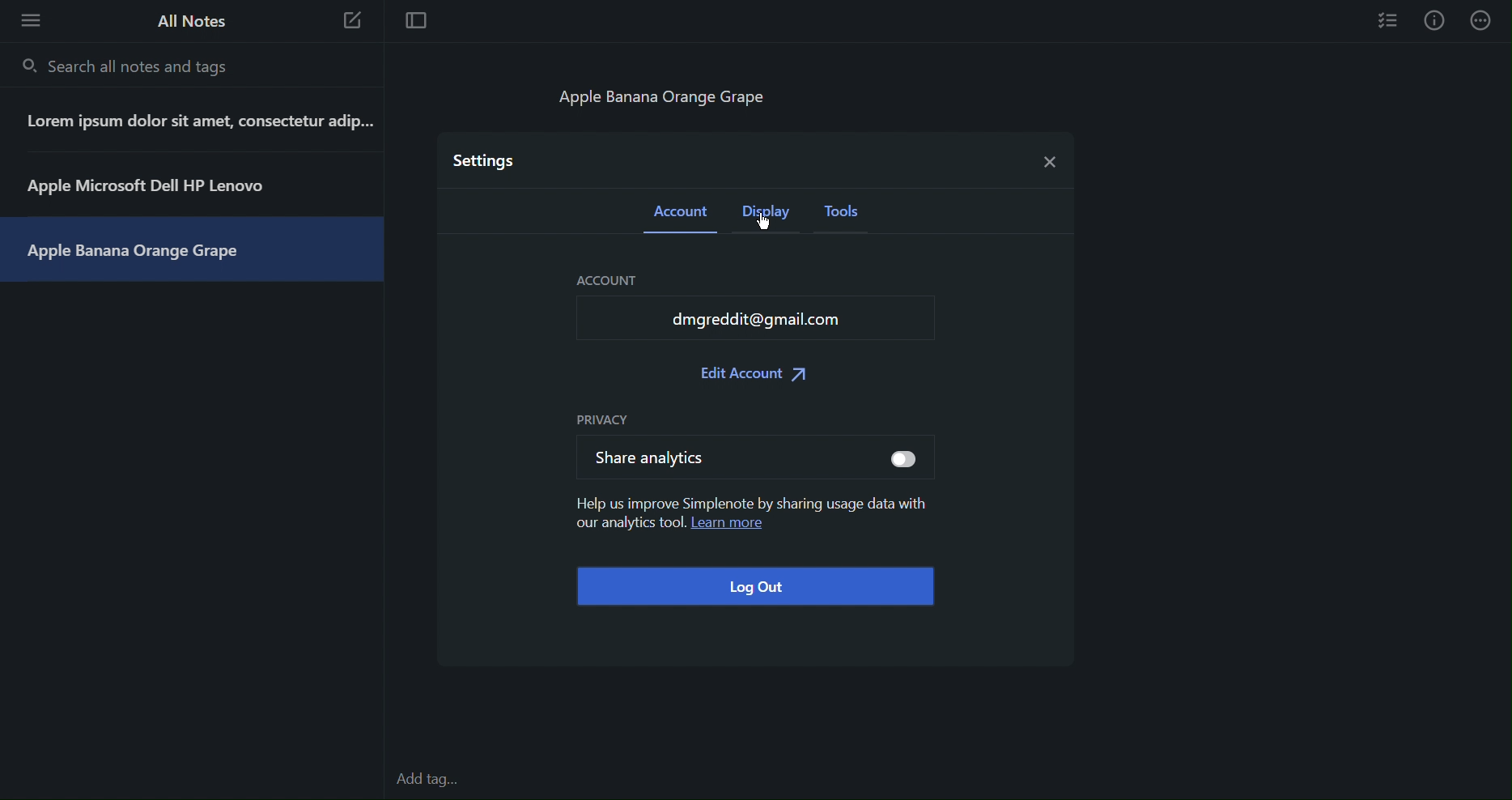  I want to click on Tools, so click(847, 216).